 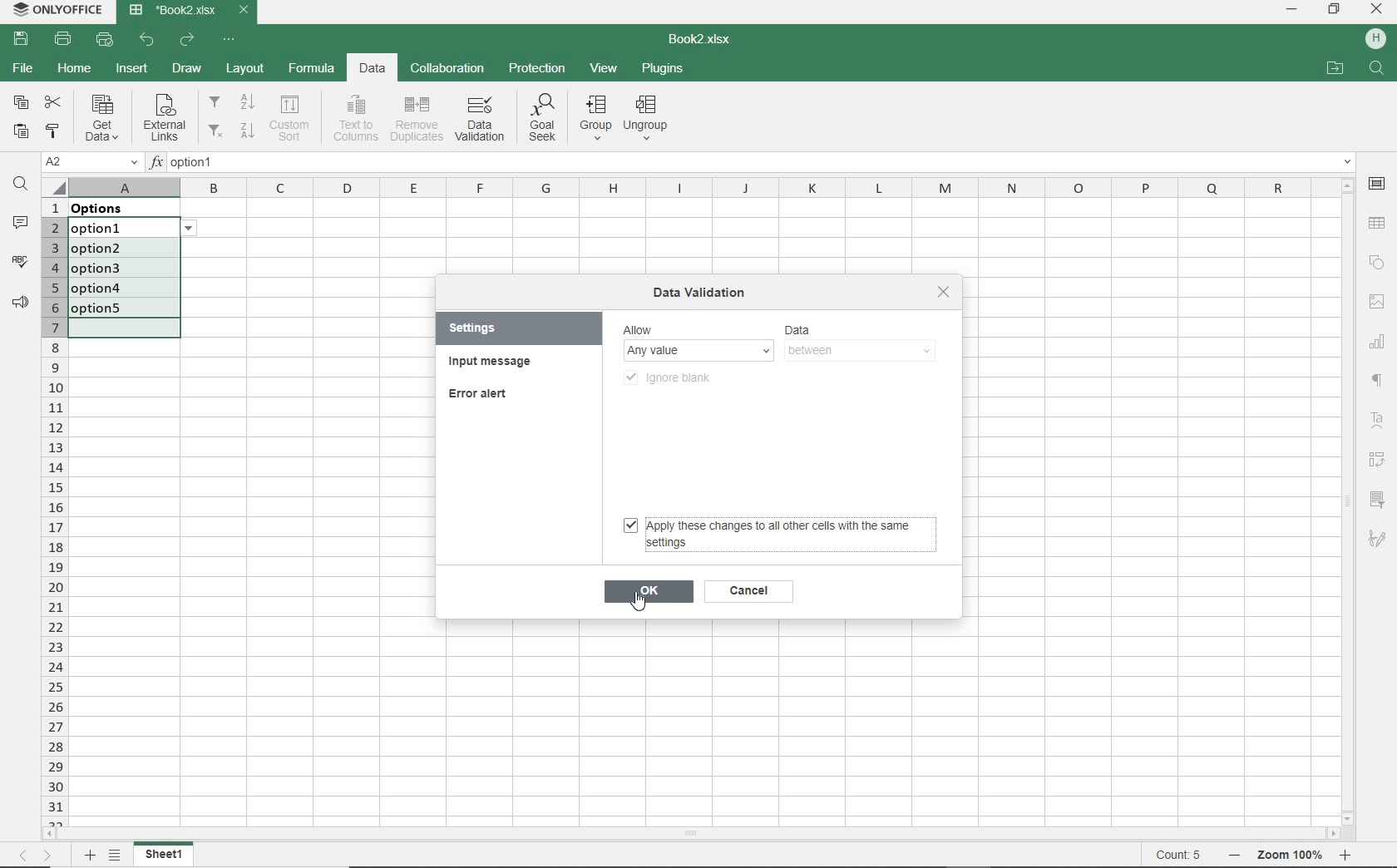 What do you see at coordinates (165, 855) in the screenshot?
I see `sheet1` at bounding box center [165, 855].